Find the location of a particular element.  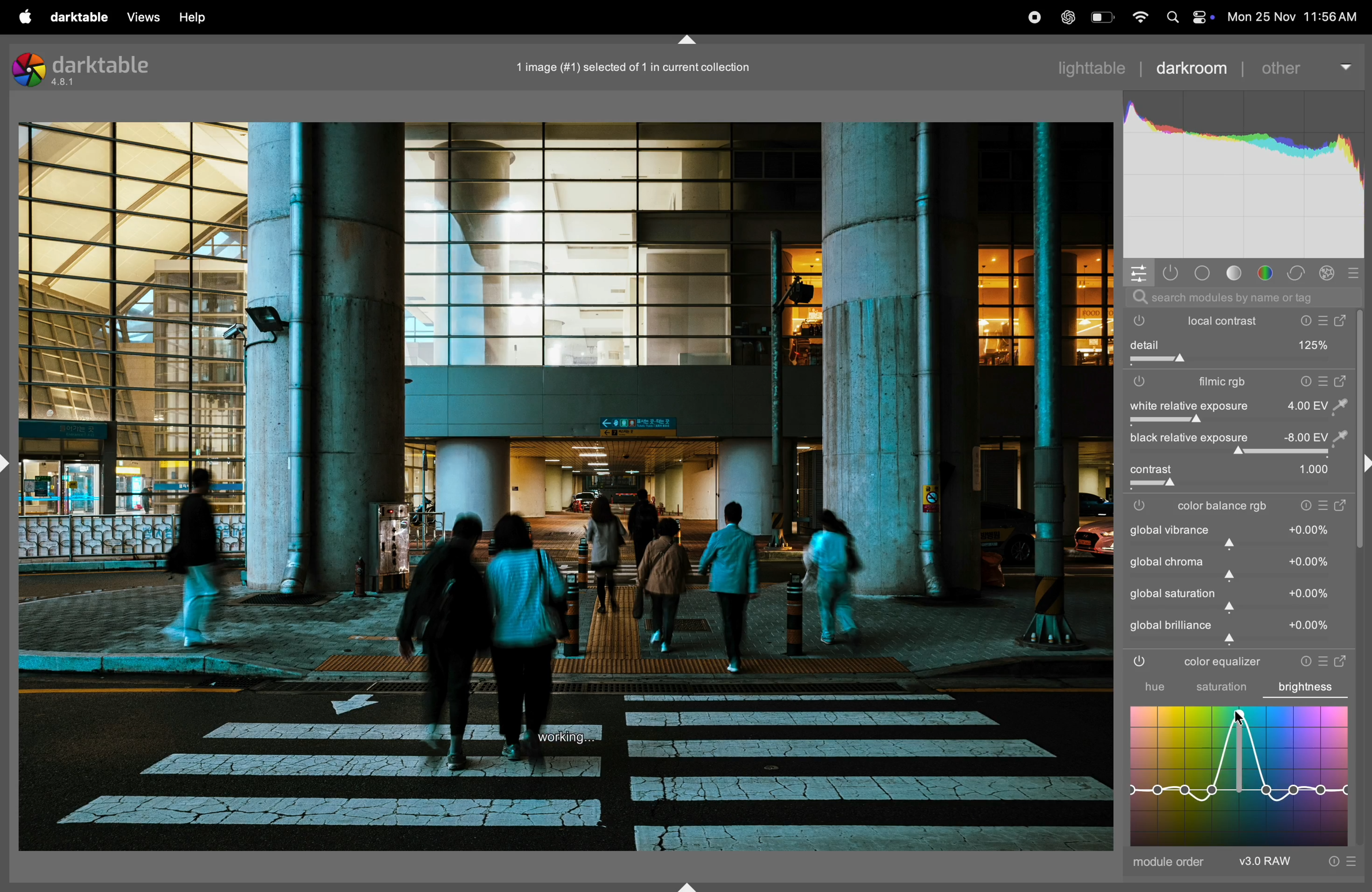

global variance is located at coordinates (1170, 530).